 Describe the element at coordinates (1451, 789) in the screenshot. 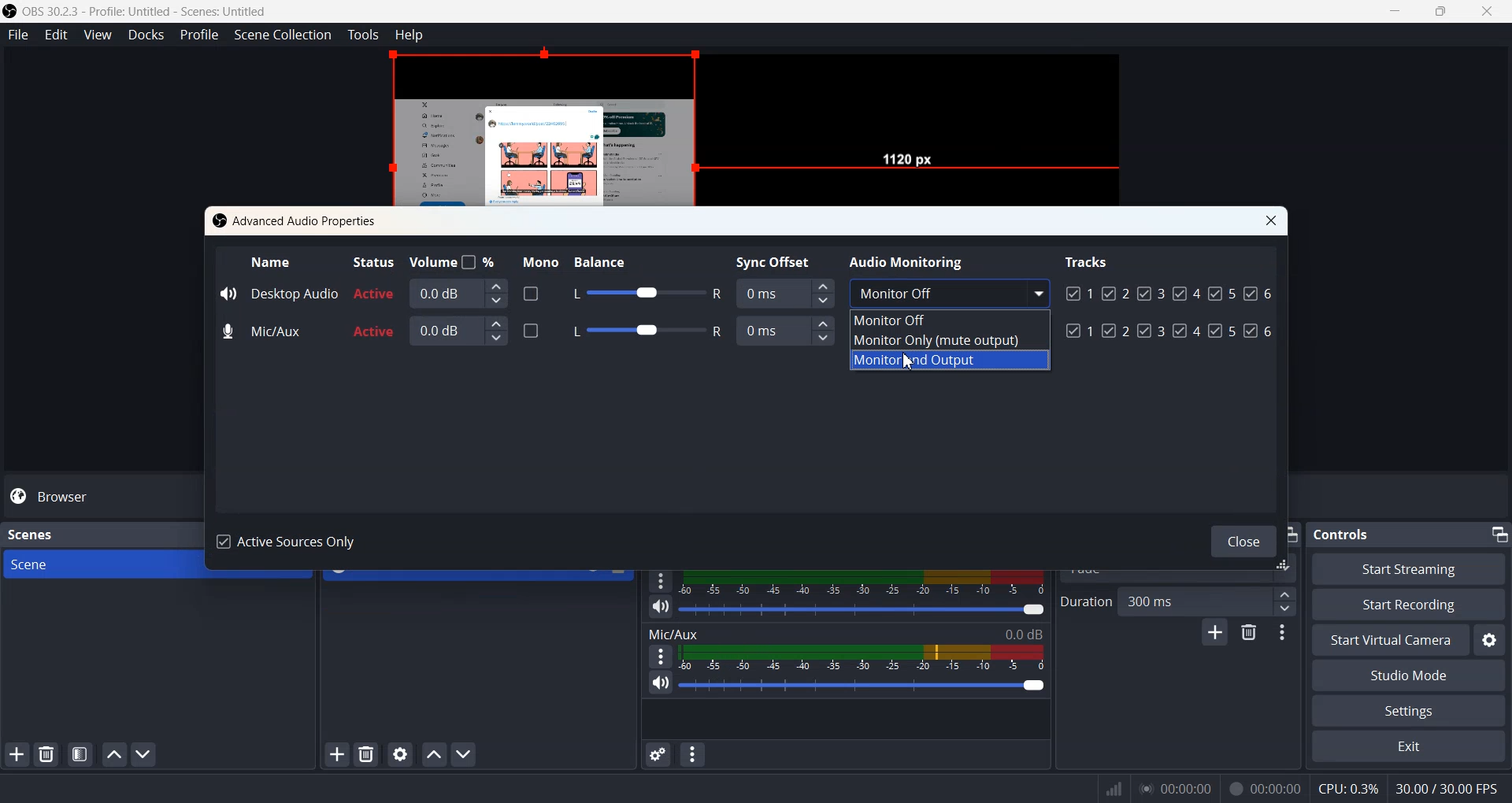

I see `30.00 / 30.00 FPS` at that location.